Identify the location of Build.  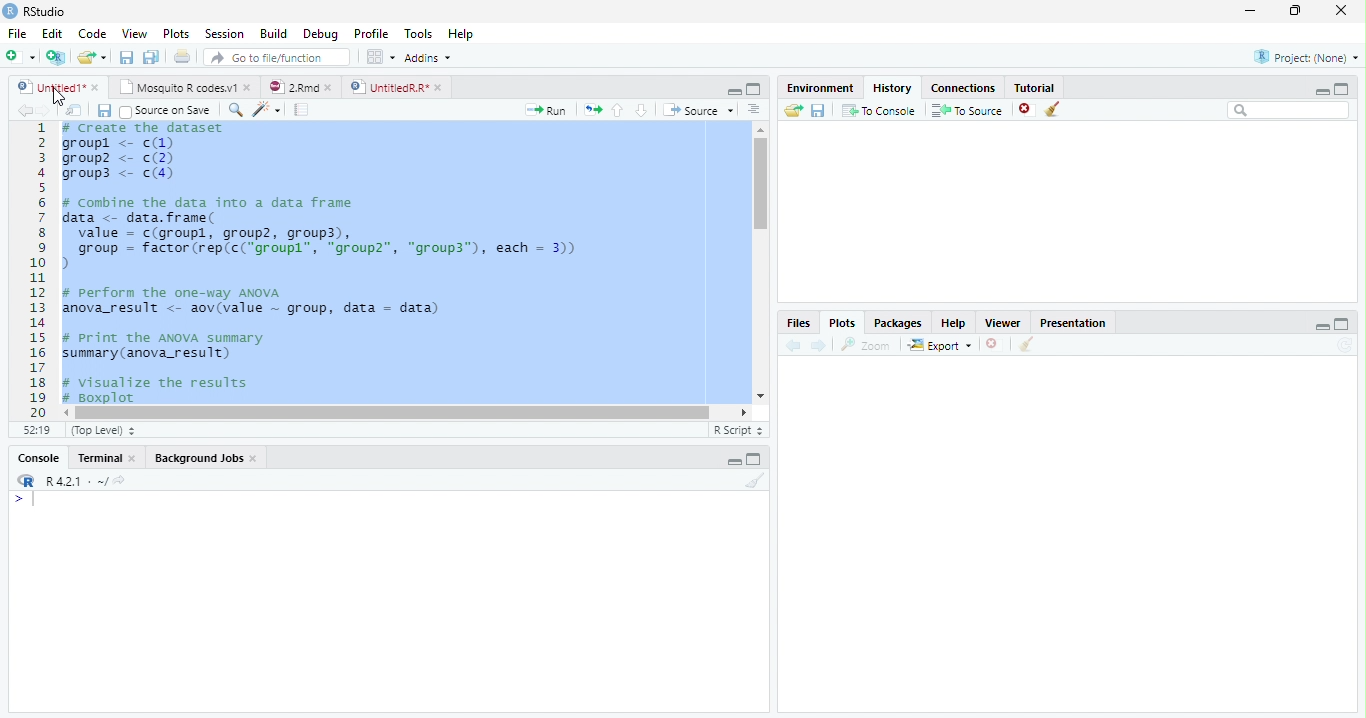
(277, 34).